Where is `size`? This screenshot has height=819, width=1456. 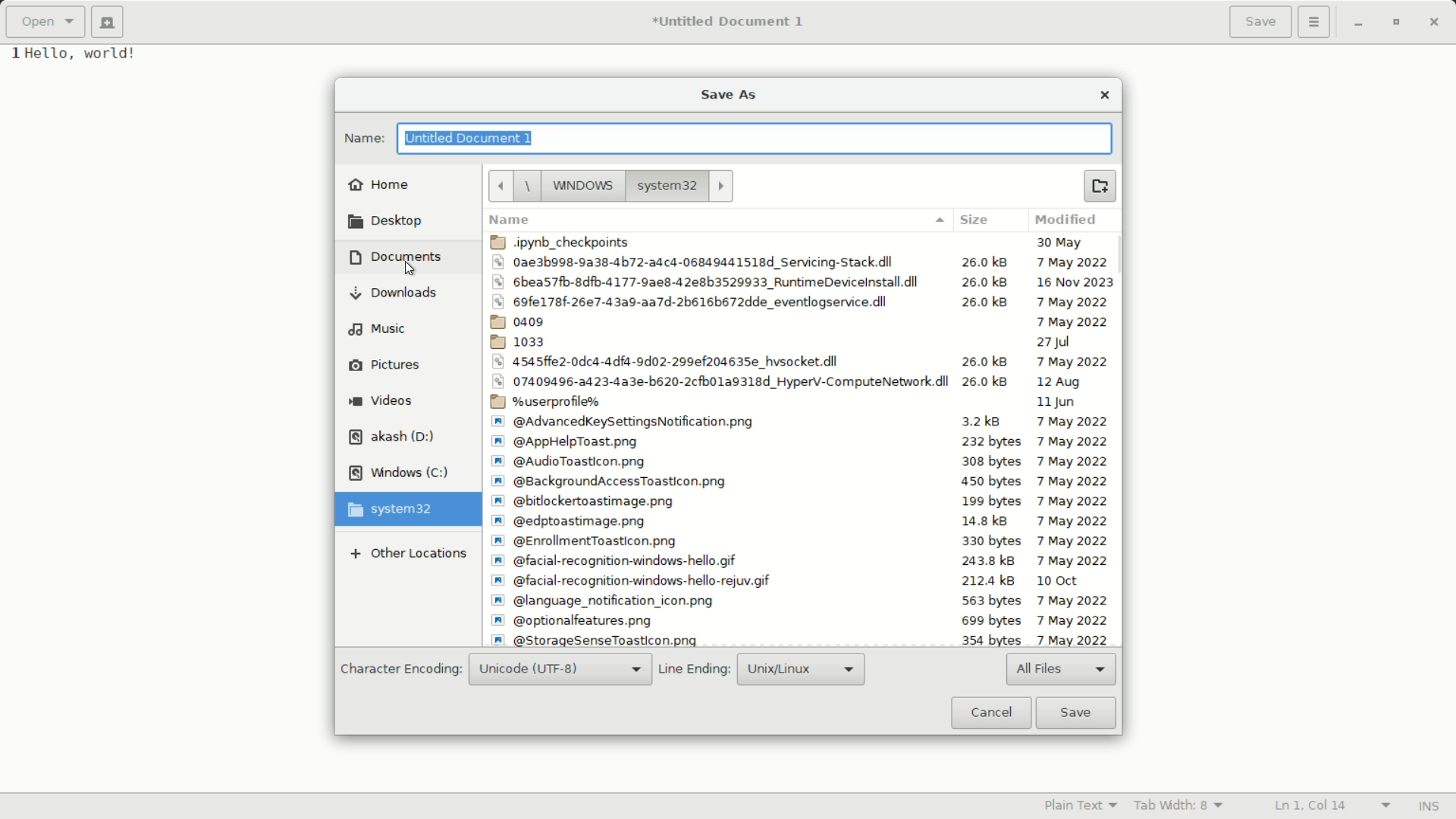
size is located at coordinates (974, 221).